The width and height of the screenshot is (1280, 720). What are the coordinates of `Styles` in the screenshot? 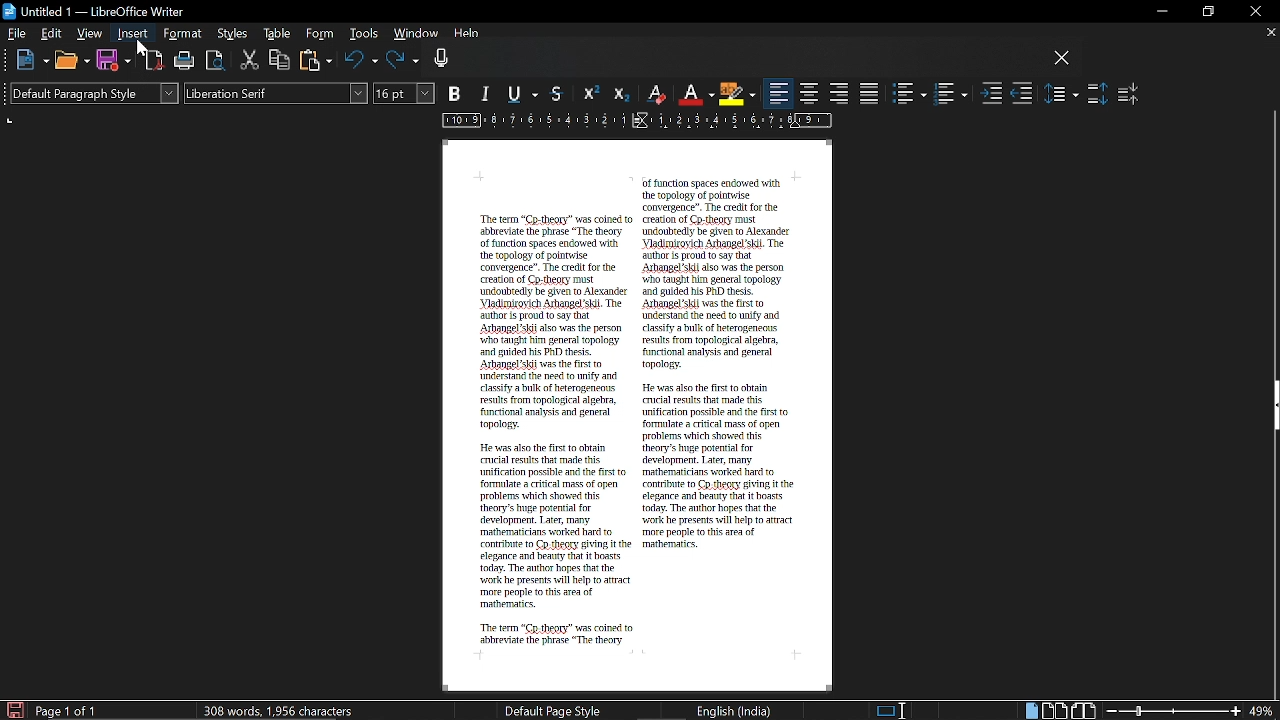 It's located at (234, 35).